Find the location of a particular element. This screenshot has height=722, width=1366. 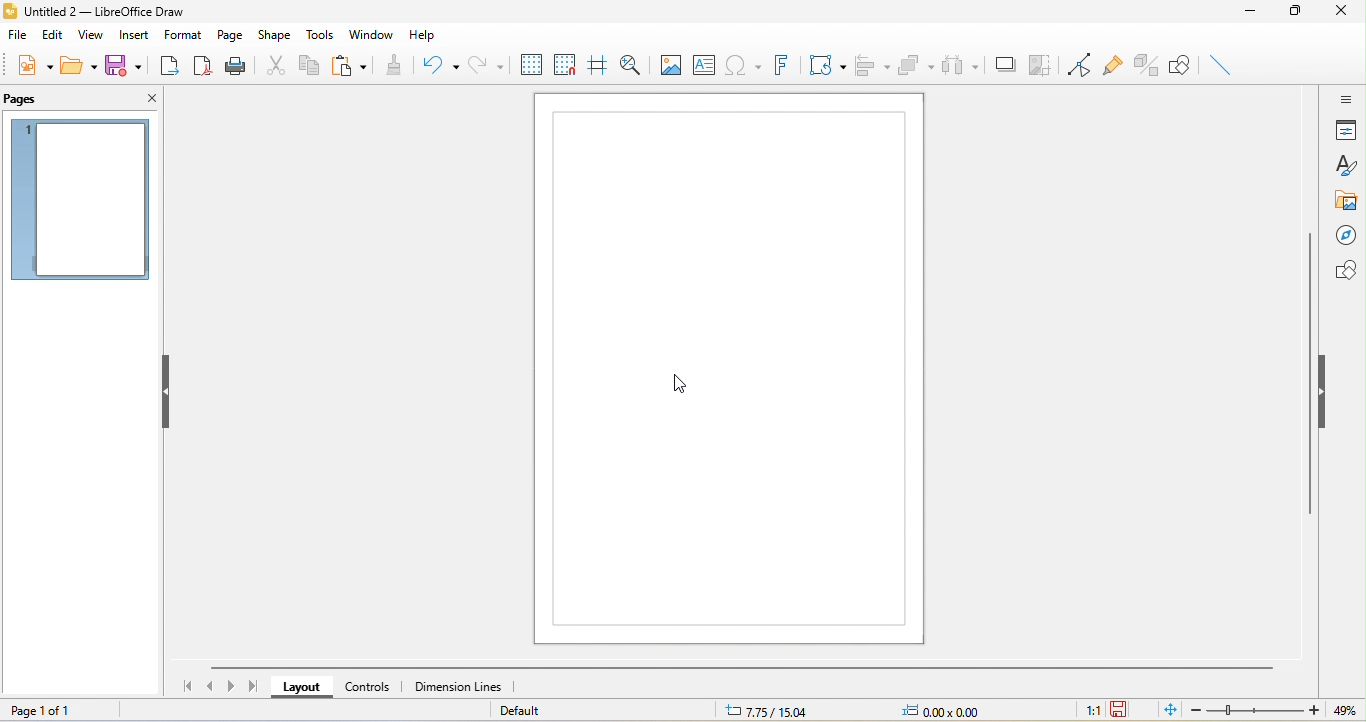

special character is located at coordinates (740, 65).